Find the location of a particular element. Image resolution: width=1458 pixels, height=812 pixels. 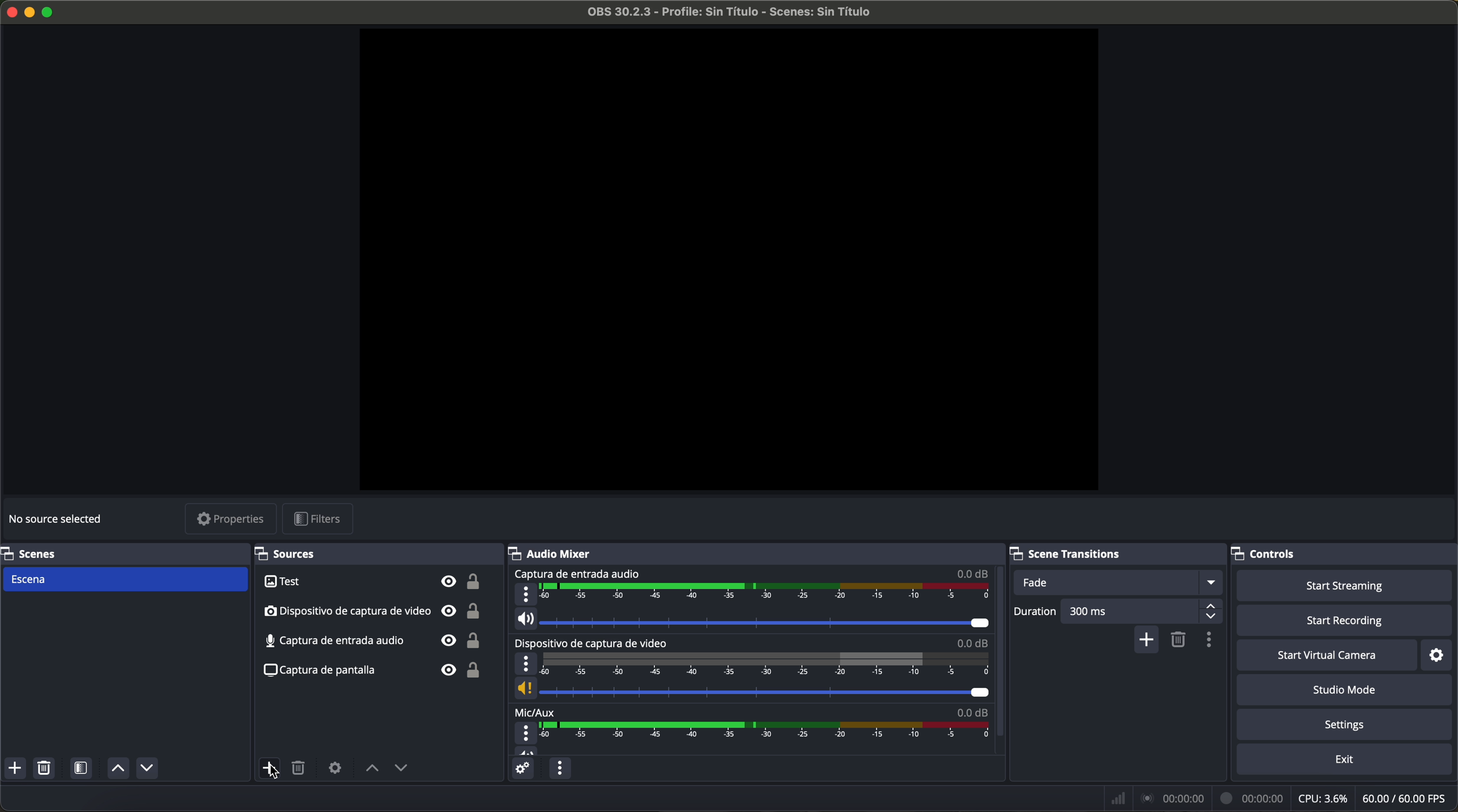

filters is located at coordinates (318, 519).